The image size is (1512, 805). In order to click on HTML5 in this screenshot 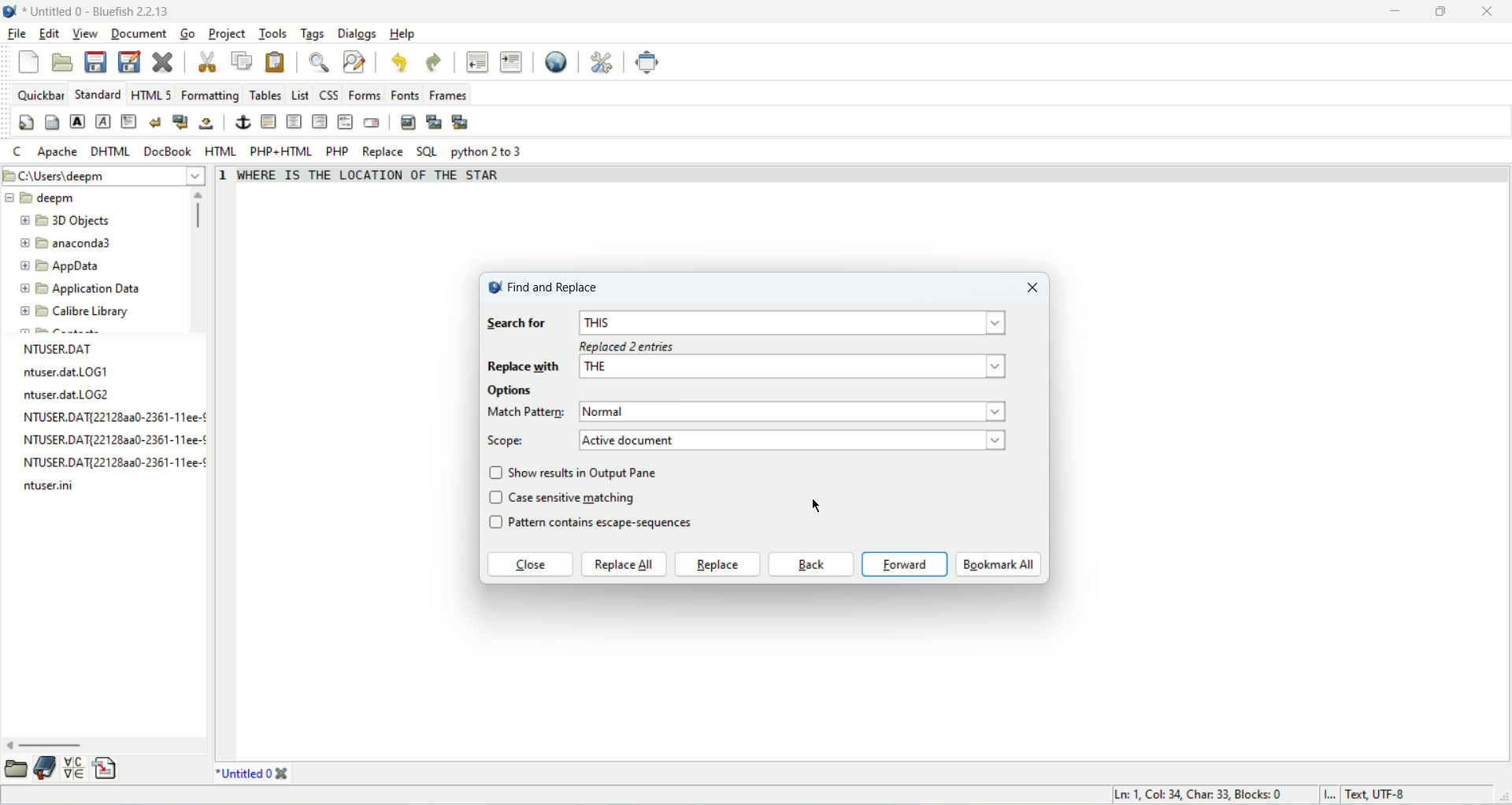, I will do `click(149, 95)`.